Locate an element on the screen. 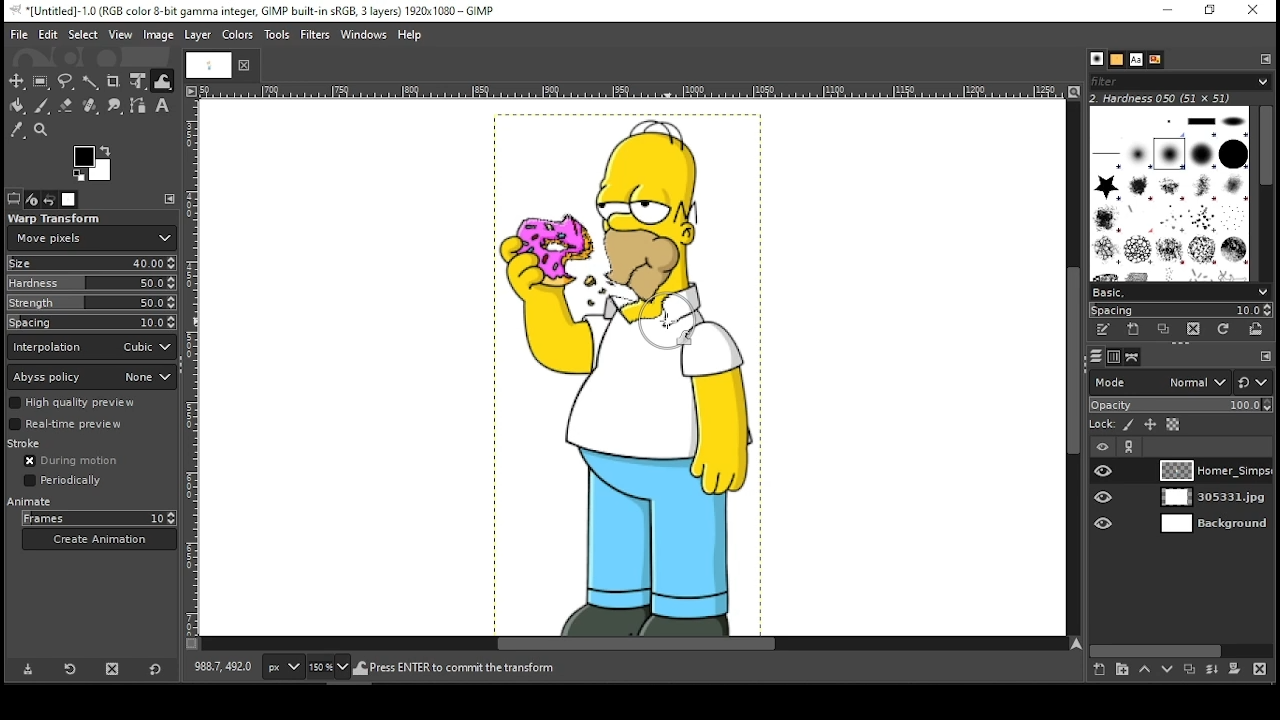 The image size is (1280, 720). basic is located at coordinates (1182, 292).